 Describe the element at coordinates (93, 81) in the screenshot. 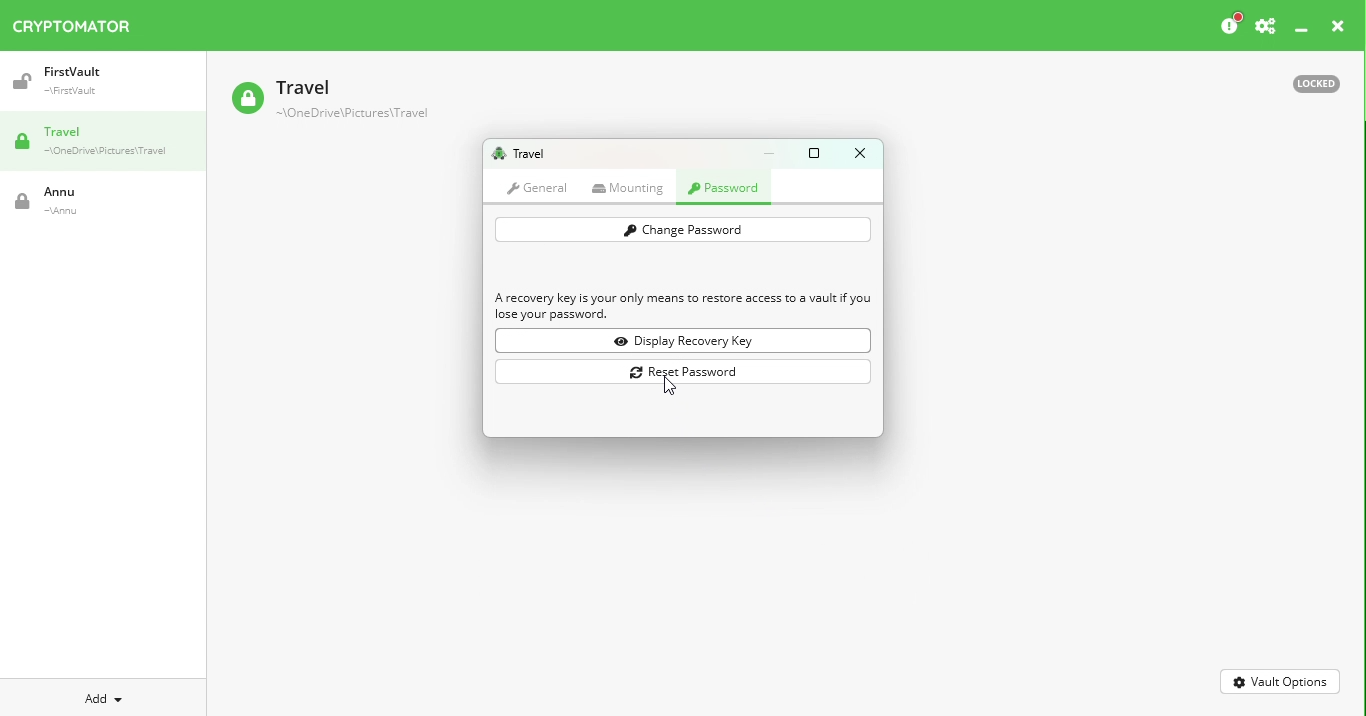

I see `Vault` at that location.